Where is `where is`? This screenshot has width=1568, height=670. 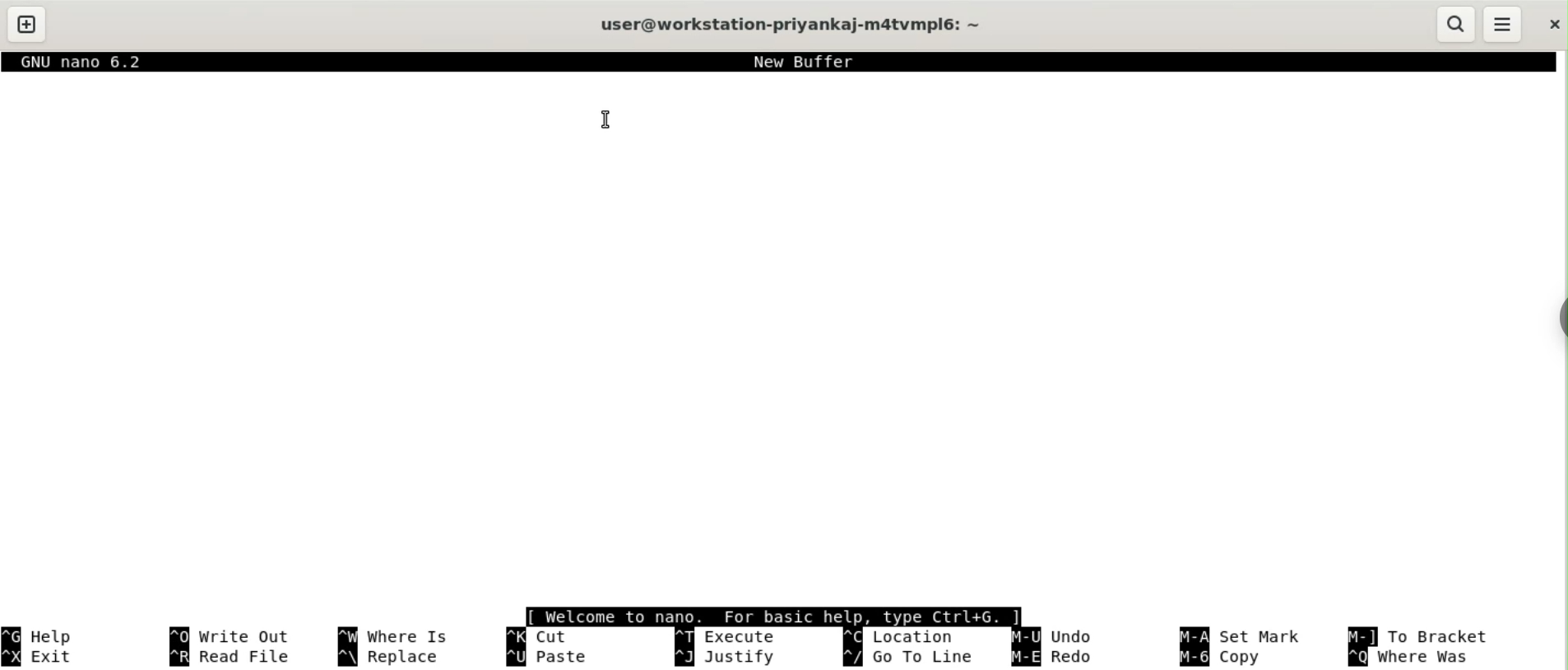 where is is located at coordinates (391, 635).